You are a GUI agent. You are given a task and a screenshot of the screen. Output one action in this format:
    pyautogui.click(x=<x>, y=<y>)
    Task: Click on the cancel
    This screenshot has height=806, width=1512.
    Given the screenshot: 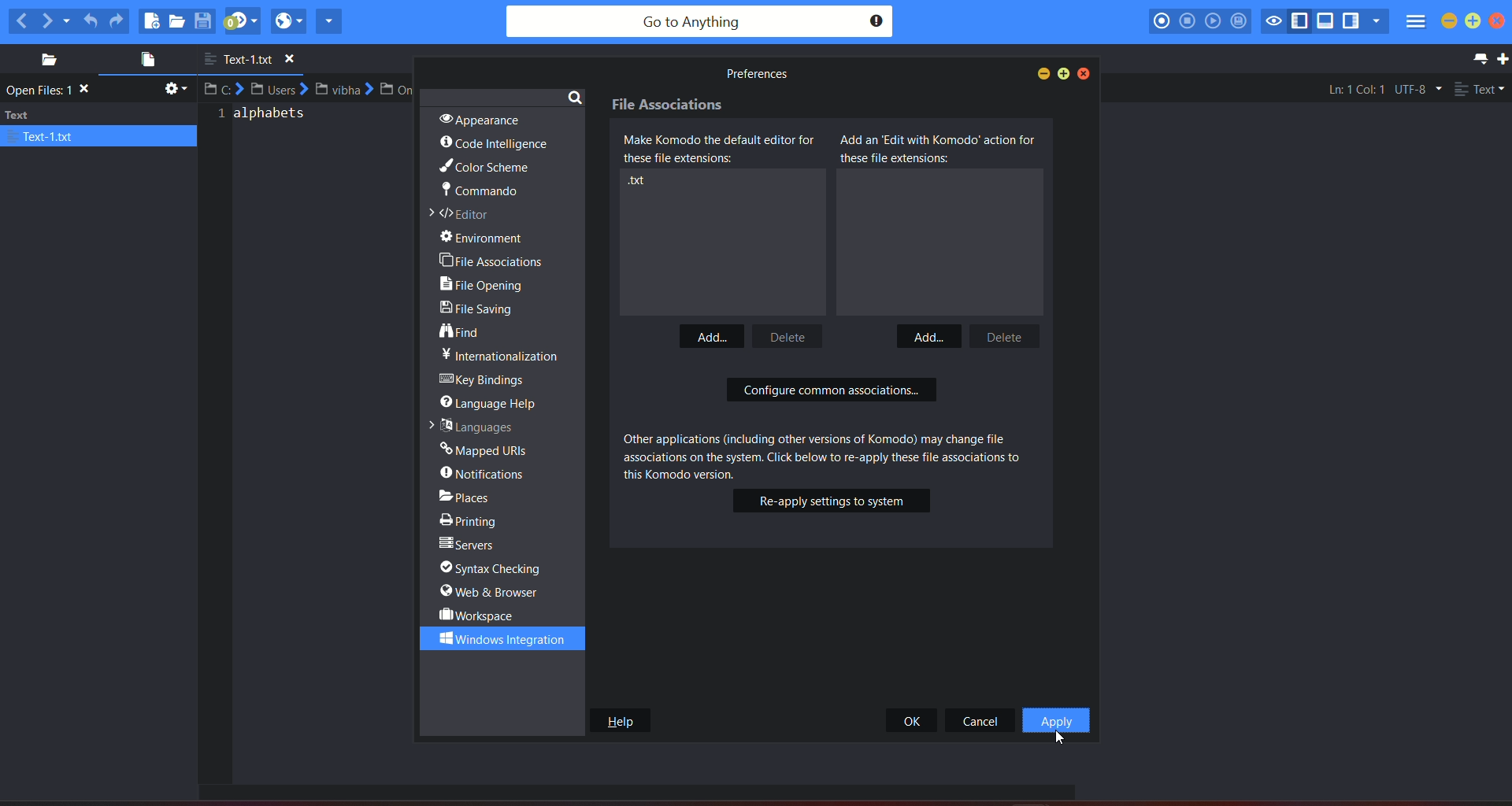 What is the action you would take?
    pyautogui.click(x=981, y=720)
    